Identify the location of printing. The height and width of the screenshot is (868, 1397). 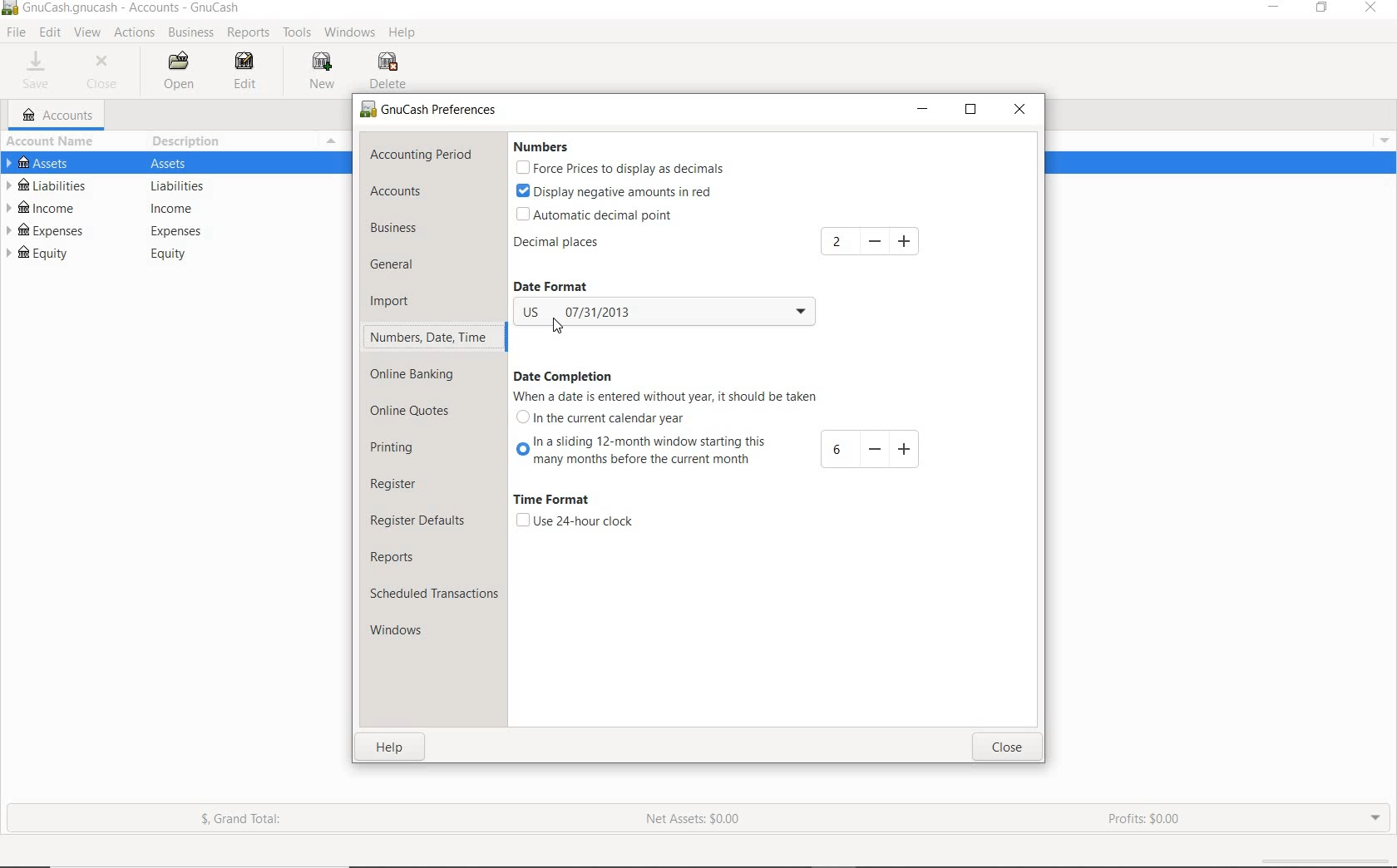
(404, 450).